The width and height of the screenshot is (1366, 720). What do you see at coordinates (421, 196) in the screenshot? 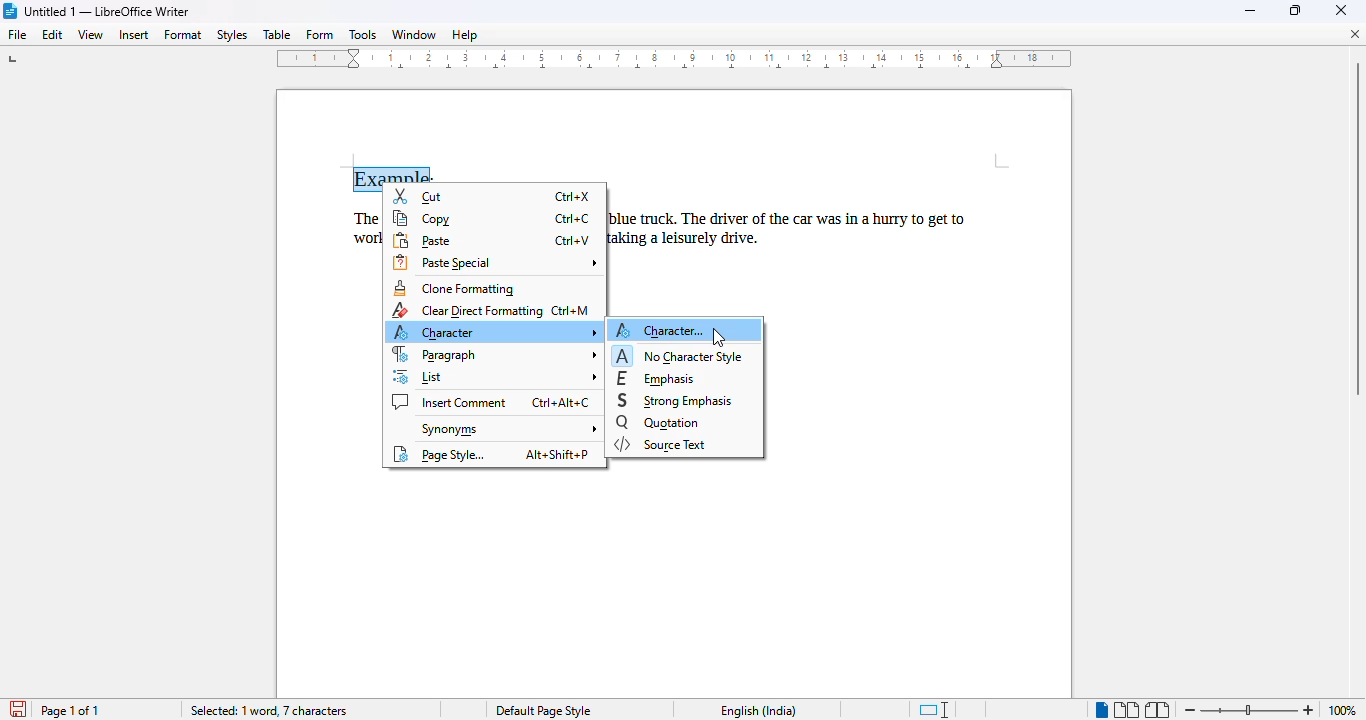
I see `cut` at bounding box center [421, 196].